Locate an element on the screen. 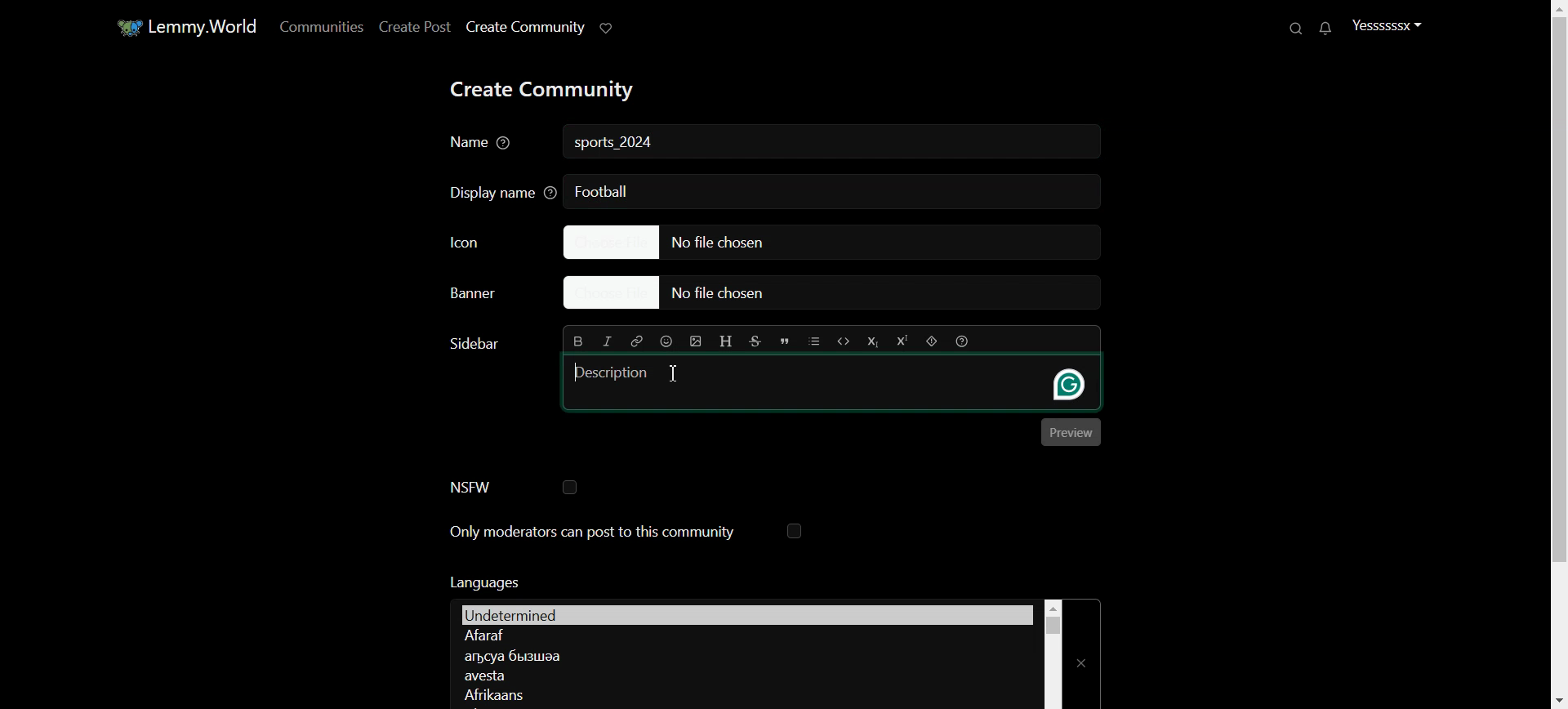  Language is located at coordinates (742, 693).